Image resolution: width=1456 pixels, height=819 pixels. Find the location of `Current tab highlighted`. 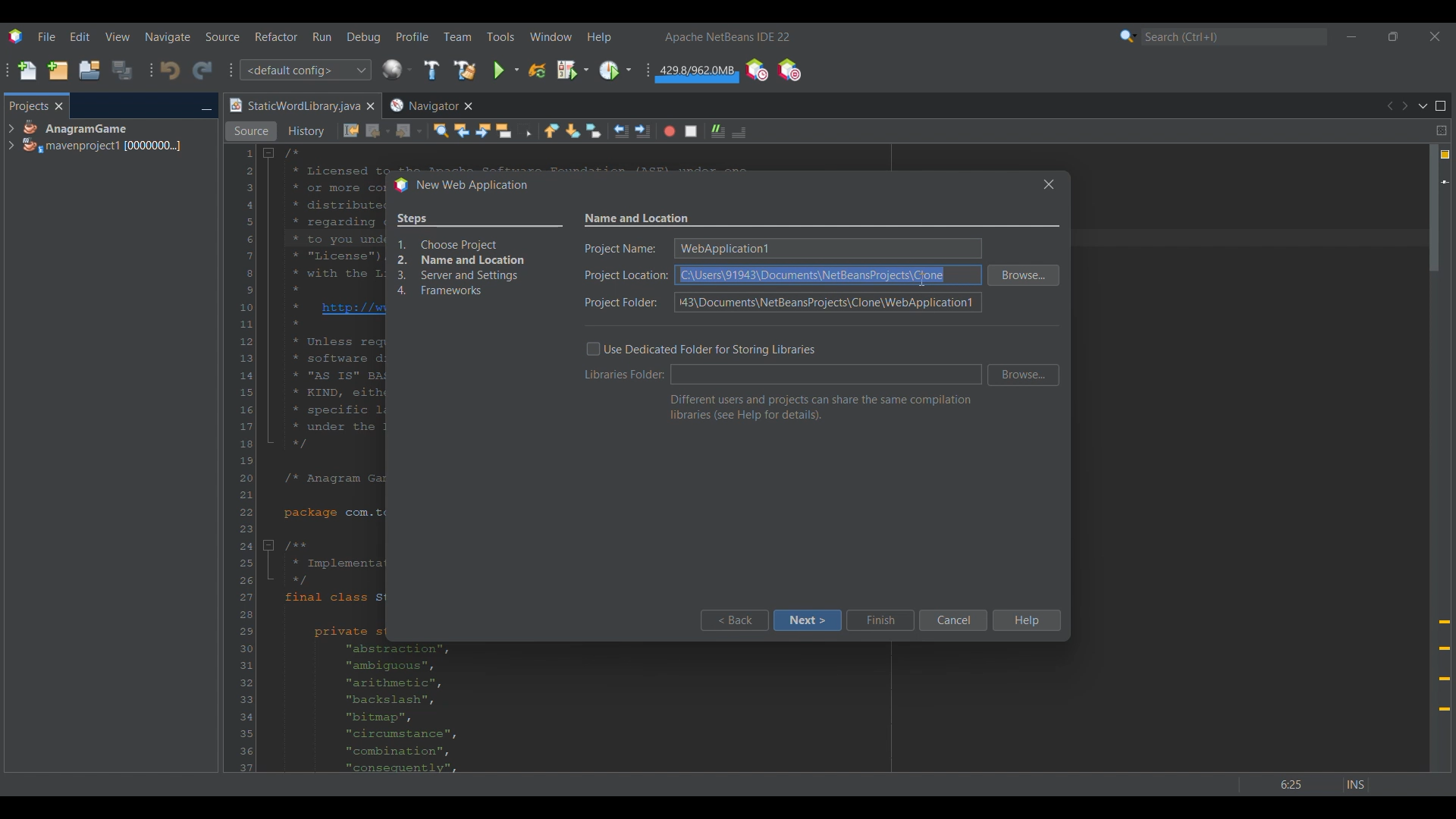

Current tab highlighted is located at coordinates (293, 106).